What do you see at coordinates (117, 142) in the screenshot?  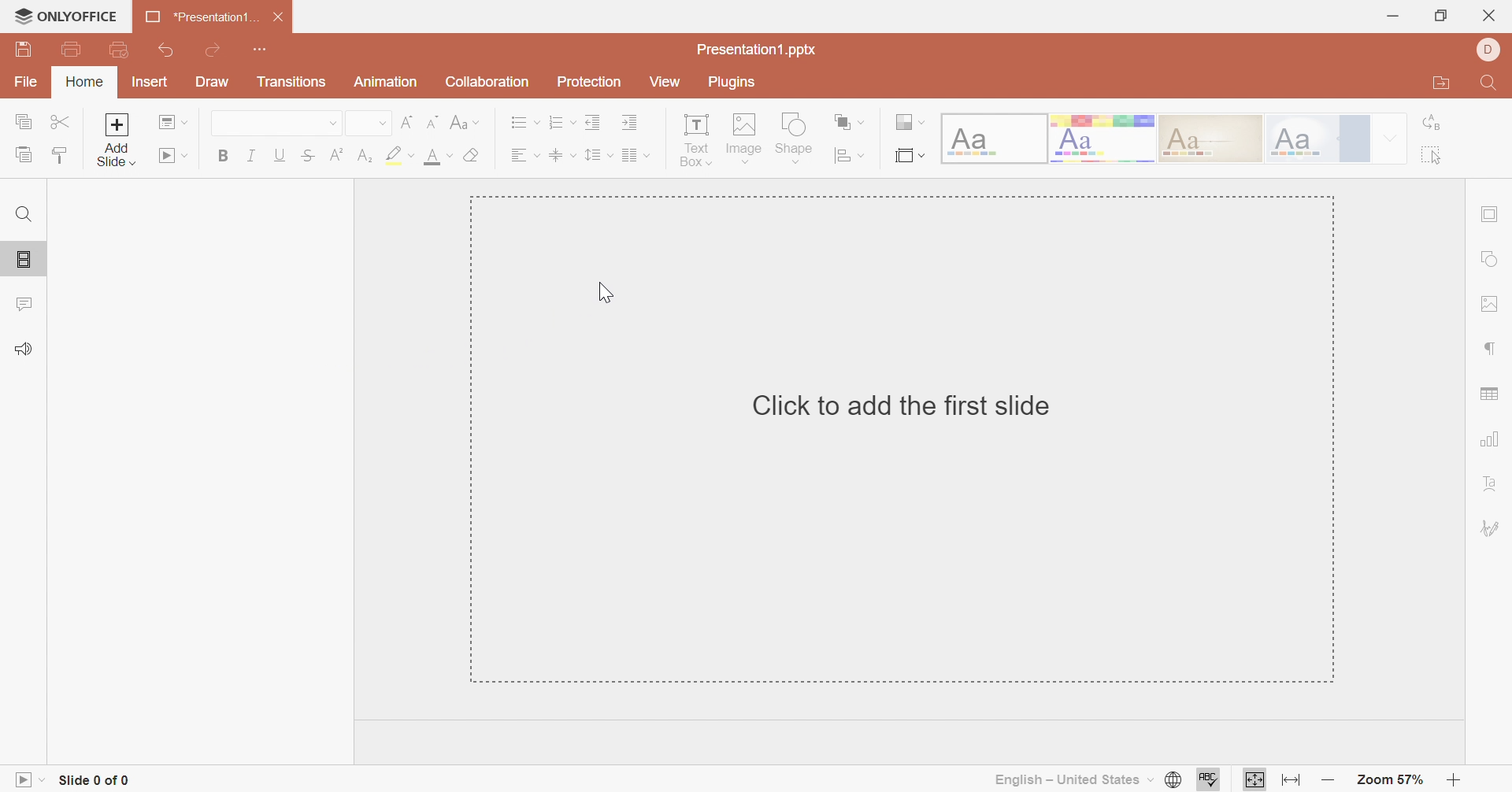 I see `Add Slide` at bounding box center [117, 142].